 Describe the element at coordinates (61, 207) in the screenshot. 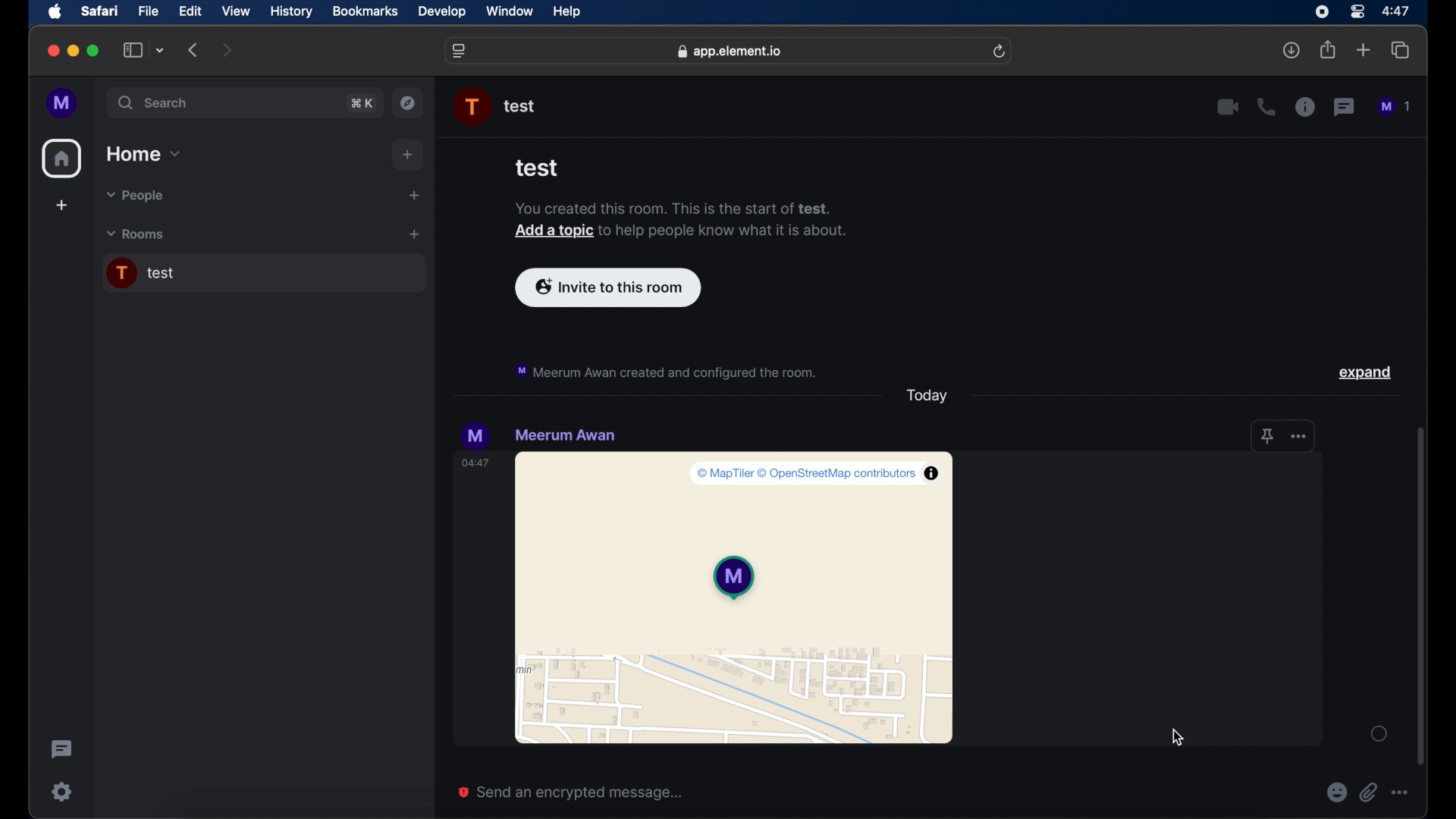

I see `add` at that location.